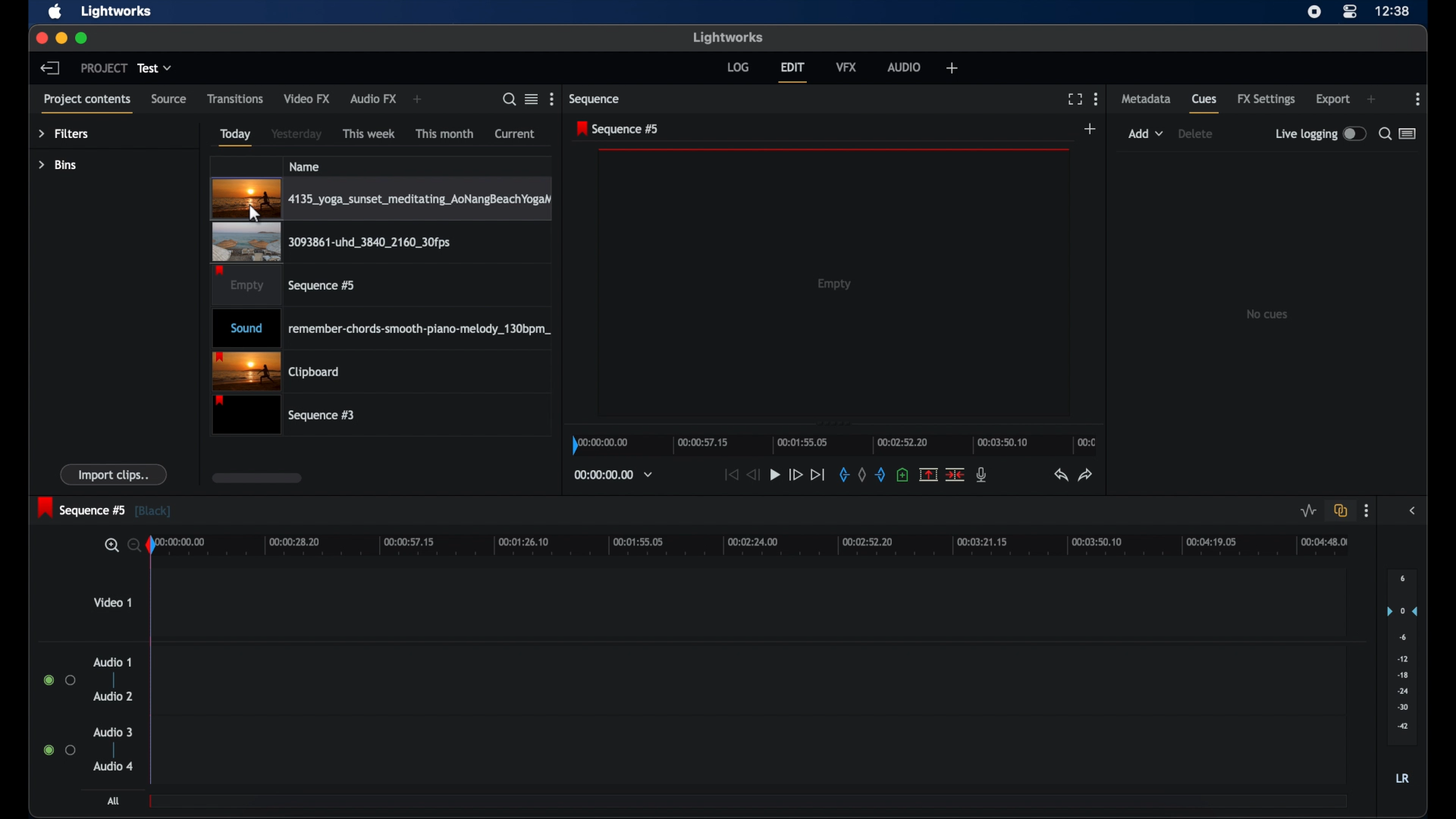 The height and width of the screenshot is (819, 1456). What do you see at coordinates (58, 679) in the screenshot?
I see `radio button` at bounding box center [58, 679].